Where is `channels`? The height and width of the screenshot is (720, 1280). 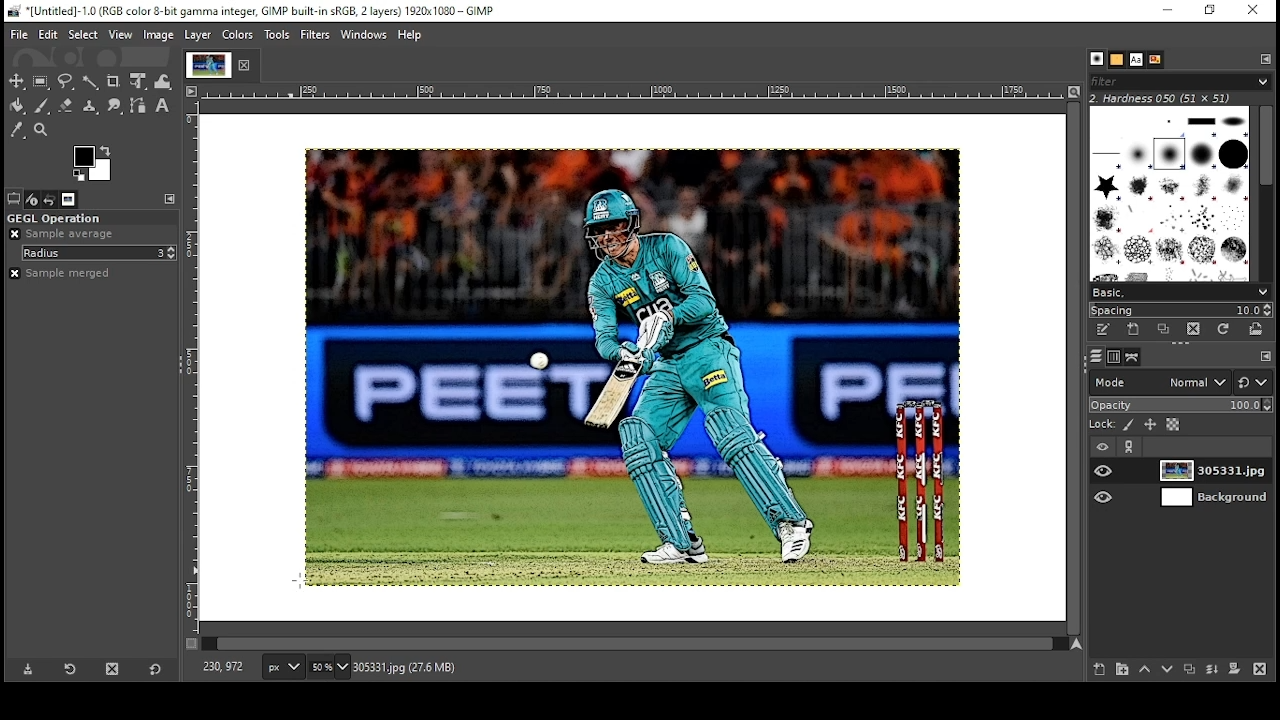 channels is located at coordinates (1115, 358).